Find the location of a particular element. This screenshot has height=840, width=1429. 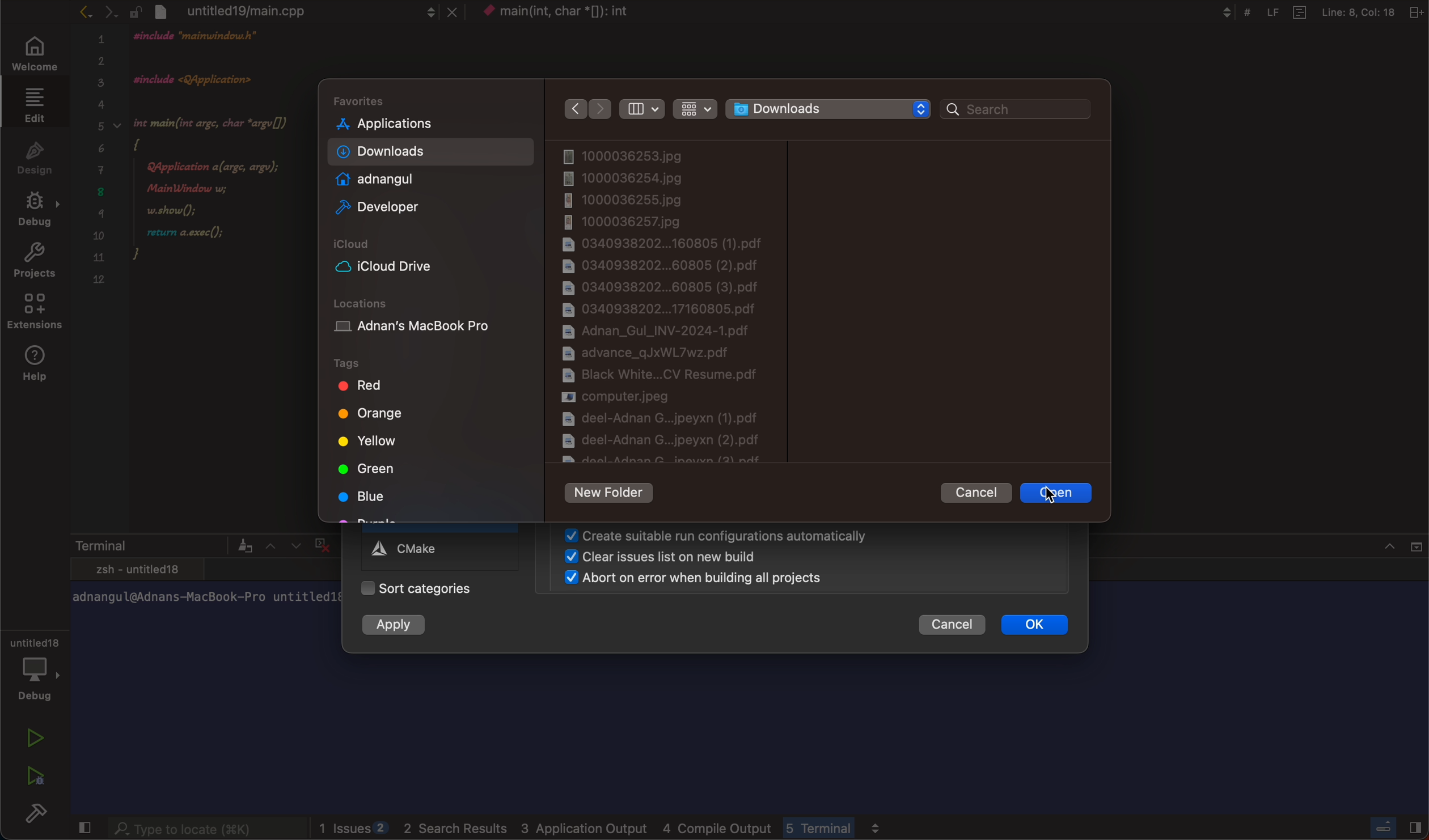

cmake is located at coordinates (410, 548).